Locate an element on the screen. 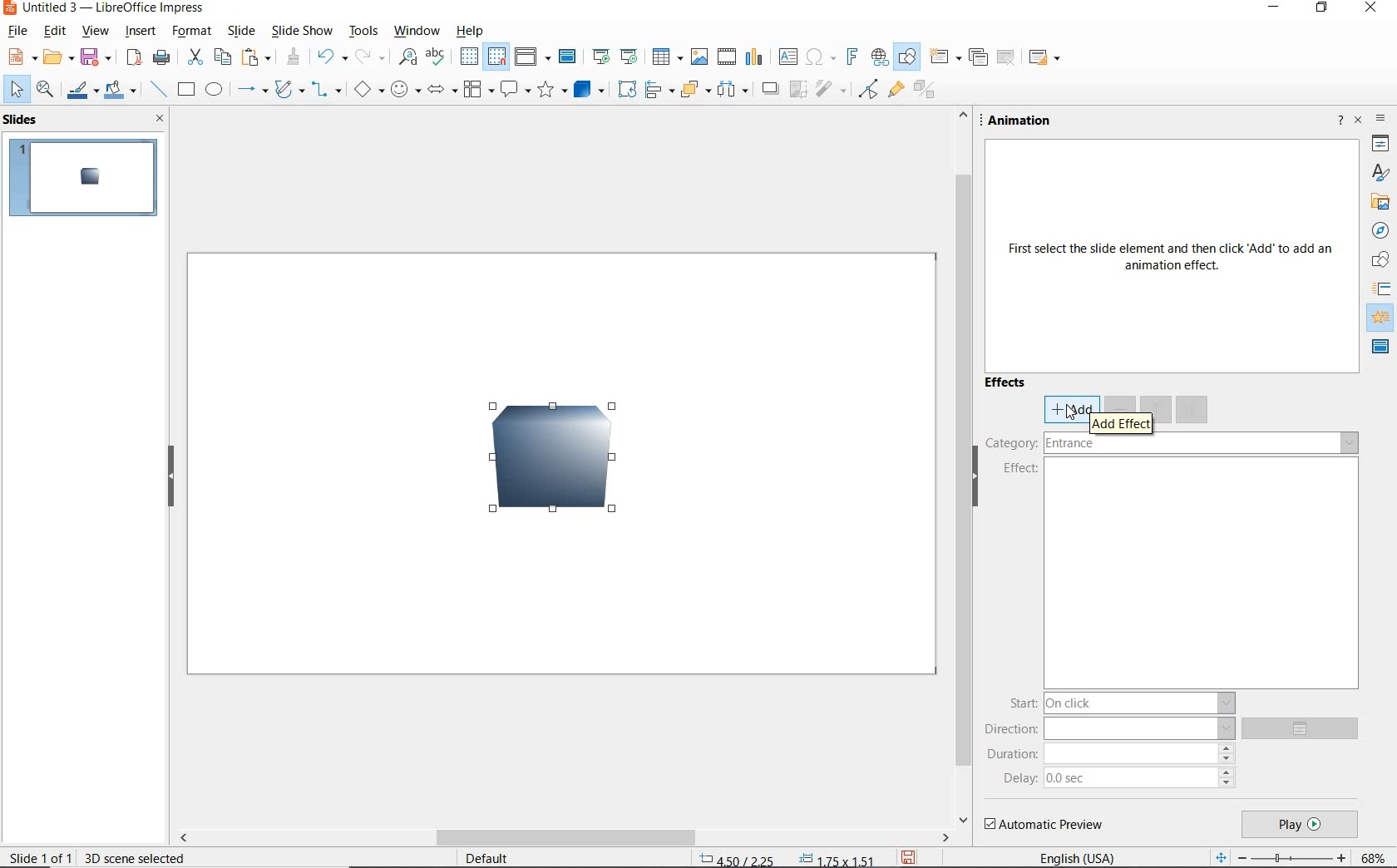  start from current slide is located at coordinates (629, 57).